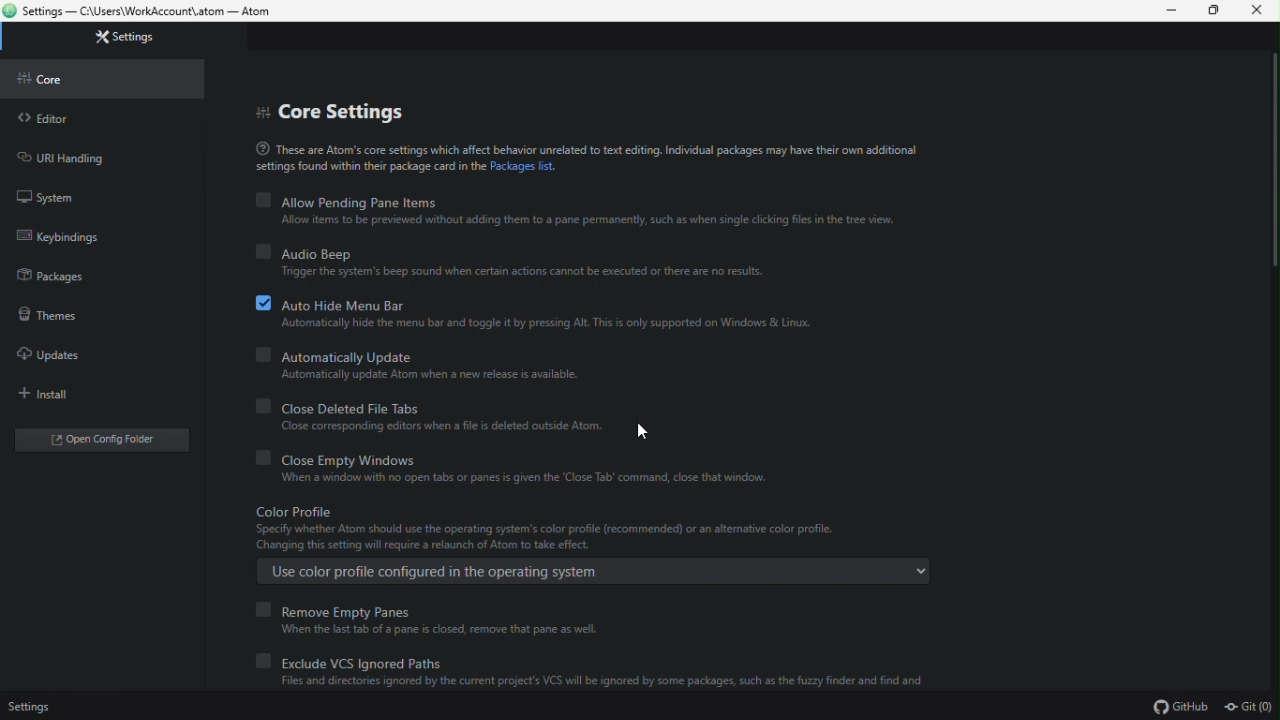 This screenshot has width=1280, height=720. What do you see at coordinates (98, 348) in the screenshot?
I see `Updates` at bounding box center [98, 348].